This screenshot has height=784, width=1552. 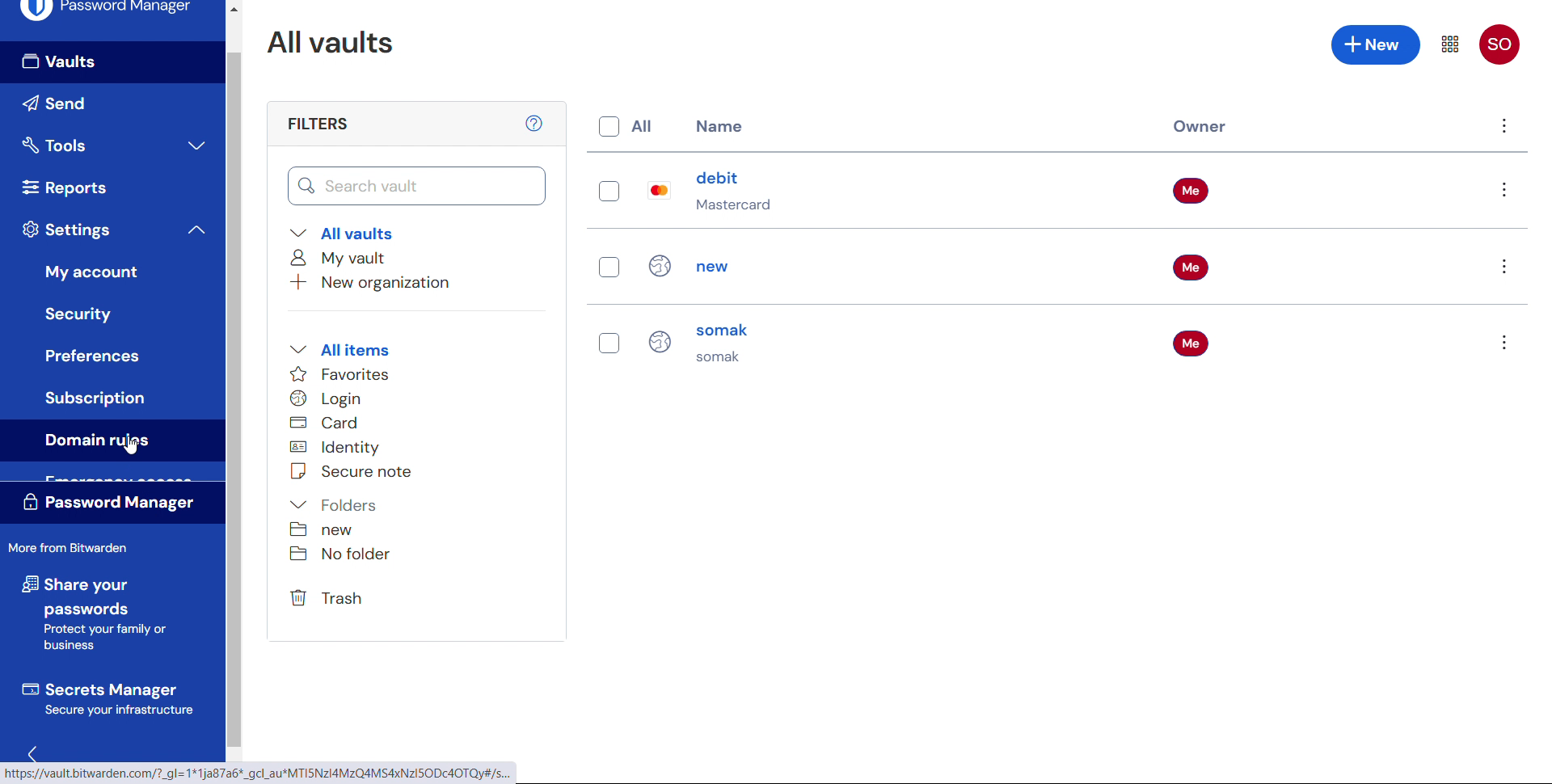 I want to click on name , so click(x=722, y=124).